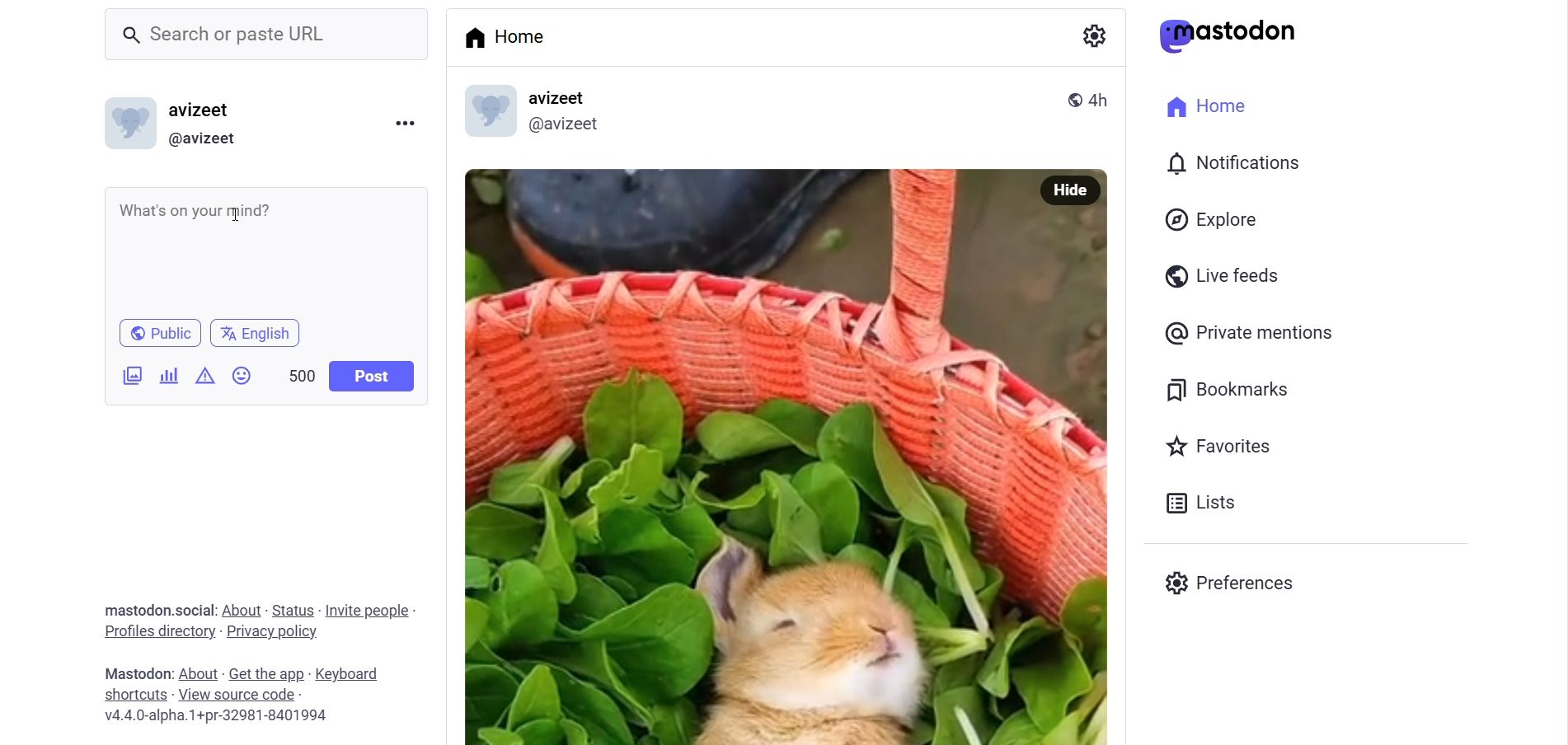  What do you see at coordinates (1235, 160) in the screenshot?
I see `Notification` at bounding box center [1235, 160].